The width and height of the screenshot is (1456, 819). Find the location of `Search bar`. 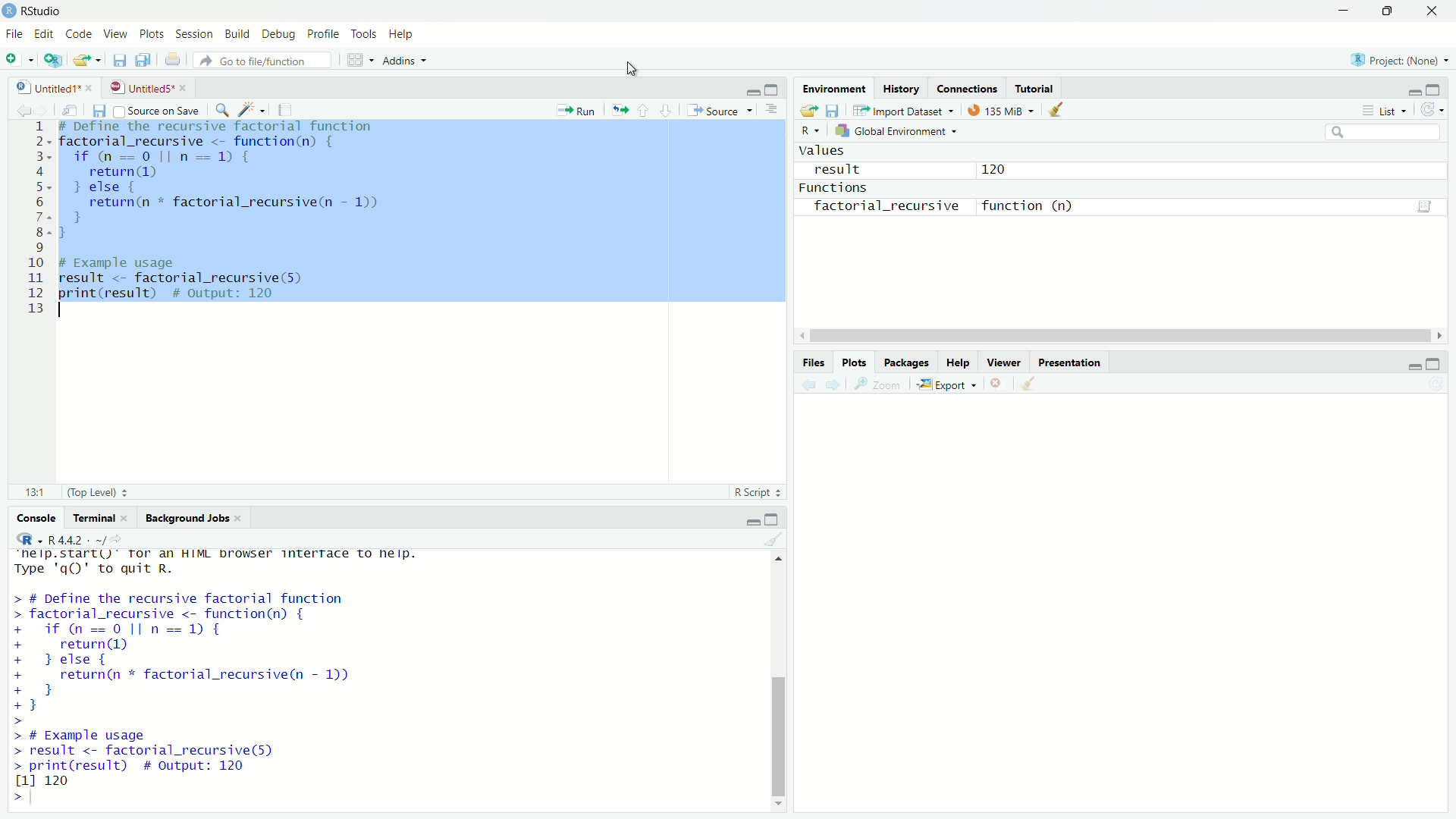

Search bar is located at coordinates (1388, 134).